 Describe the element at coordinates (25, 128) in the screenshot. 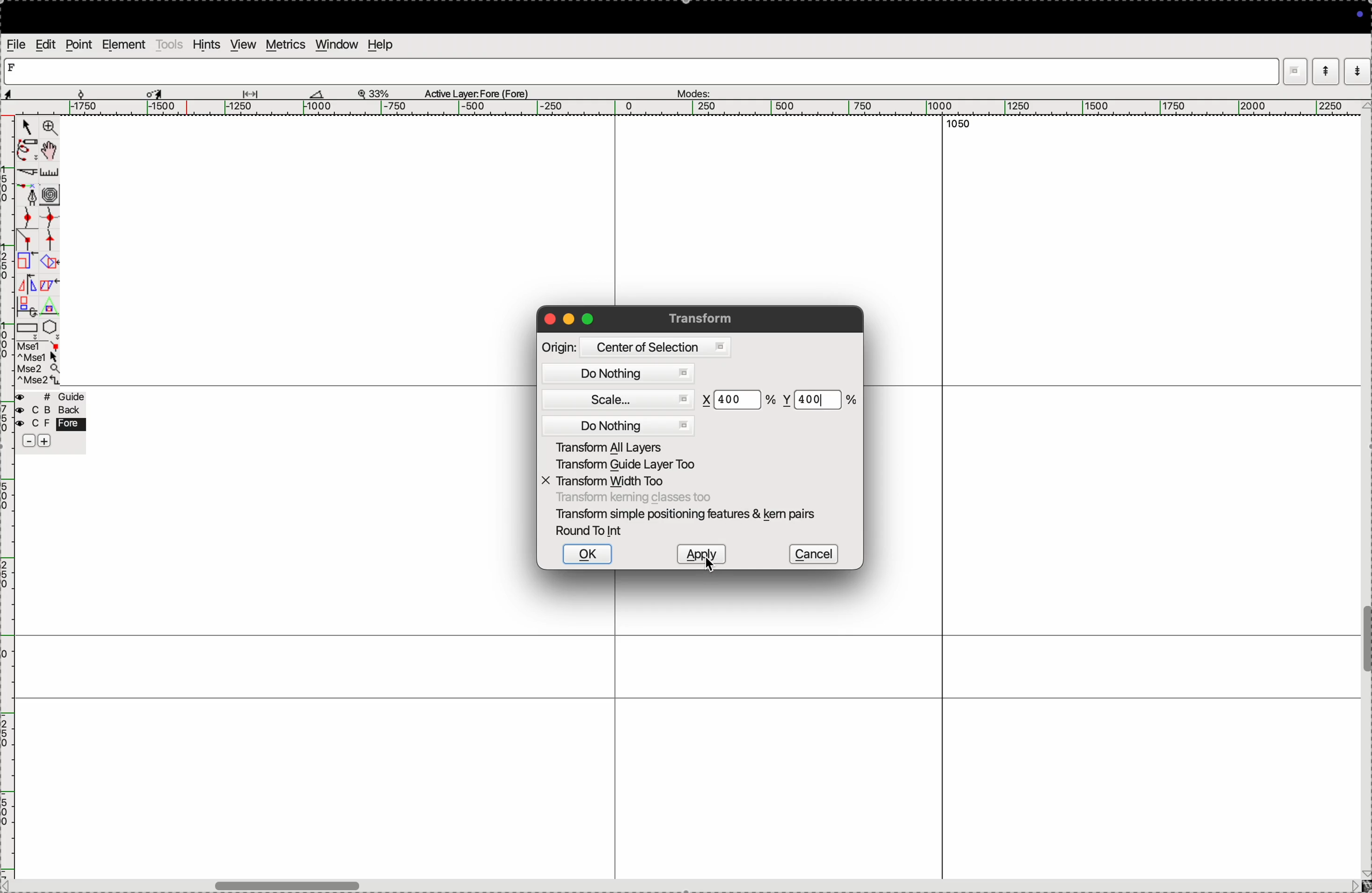

I see `cursor` at that location.